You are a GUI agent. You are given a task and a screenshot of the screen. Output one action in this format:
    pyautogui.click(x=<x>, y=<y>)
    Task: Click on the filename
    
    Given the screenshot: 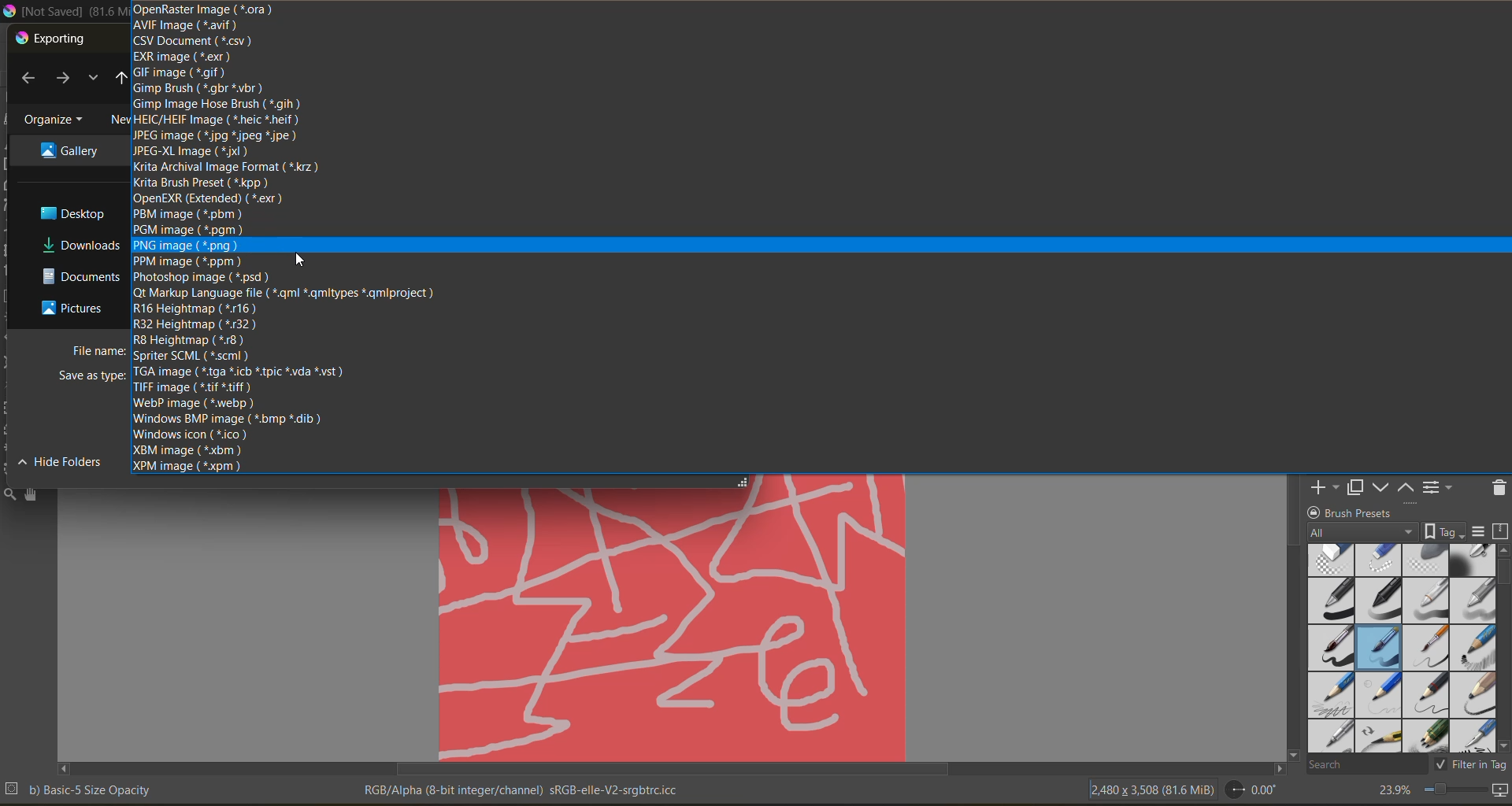 What is the action you would take?
    pyautogui.click(x=99, y=351)
    